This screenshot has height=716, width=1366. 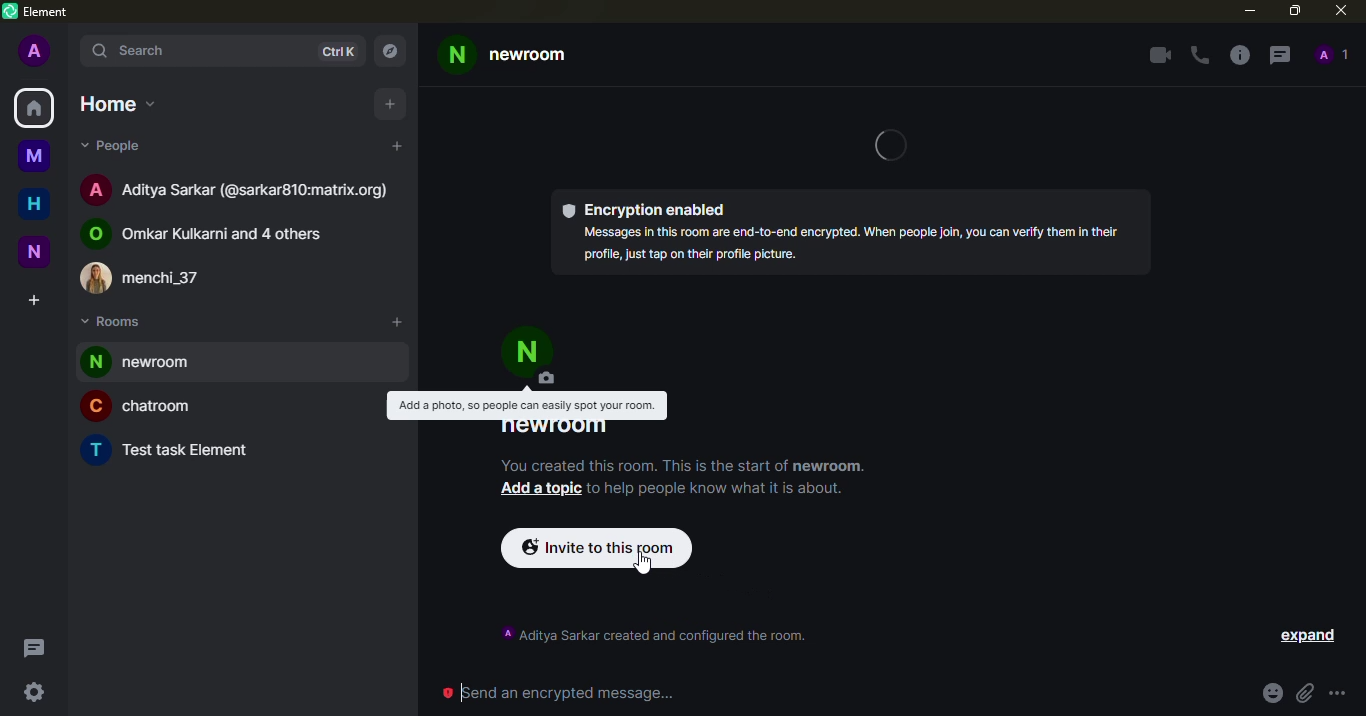 I want to click on home, so click(x=35, y=204).